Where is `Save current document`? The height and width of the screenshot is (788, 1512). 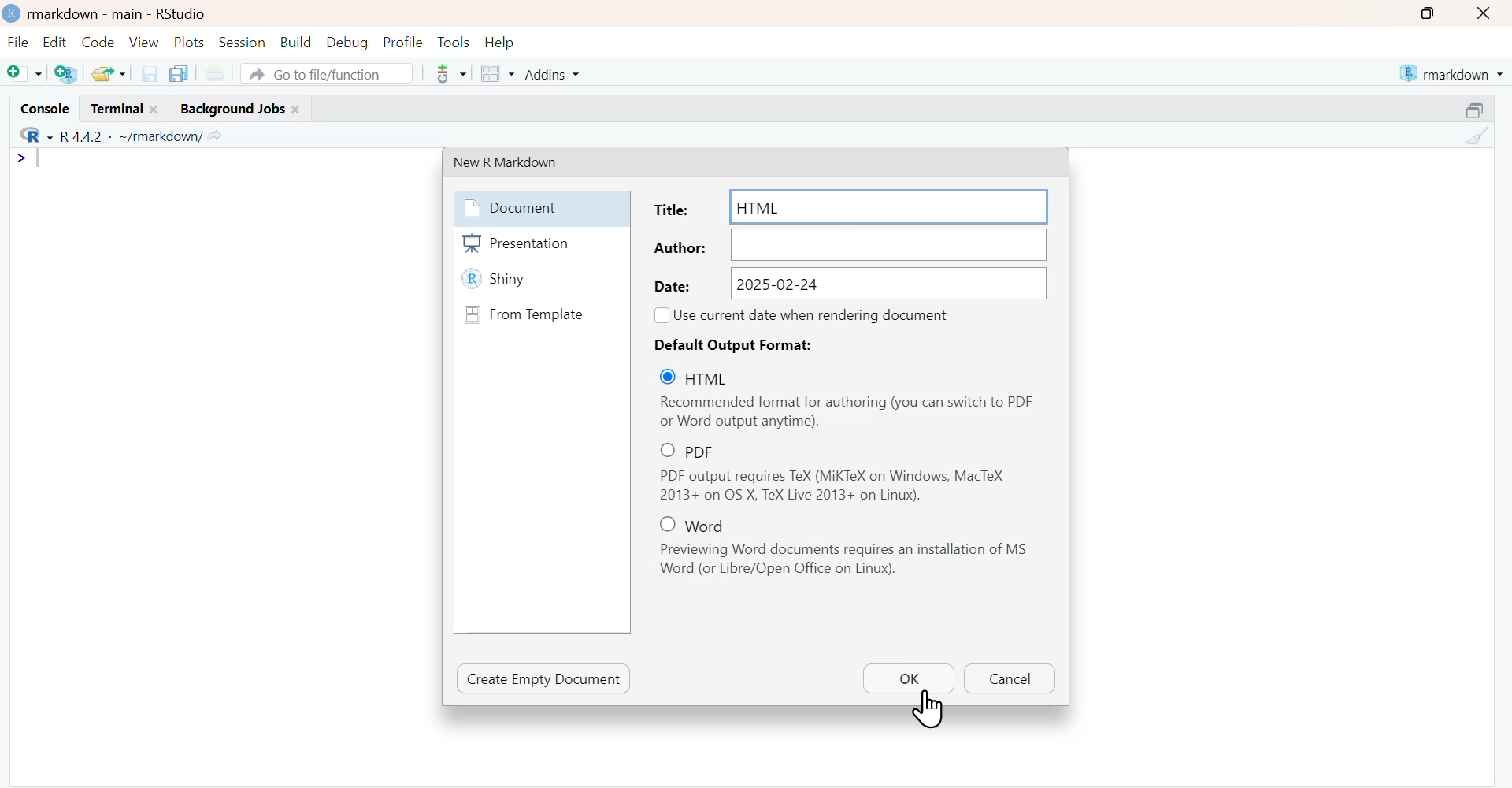
Save current document is located at coordinates (149, 73).